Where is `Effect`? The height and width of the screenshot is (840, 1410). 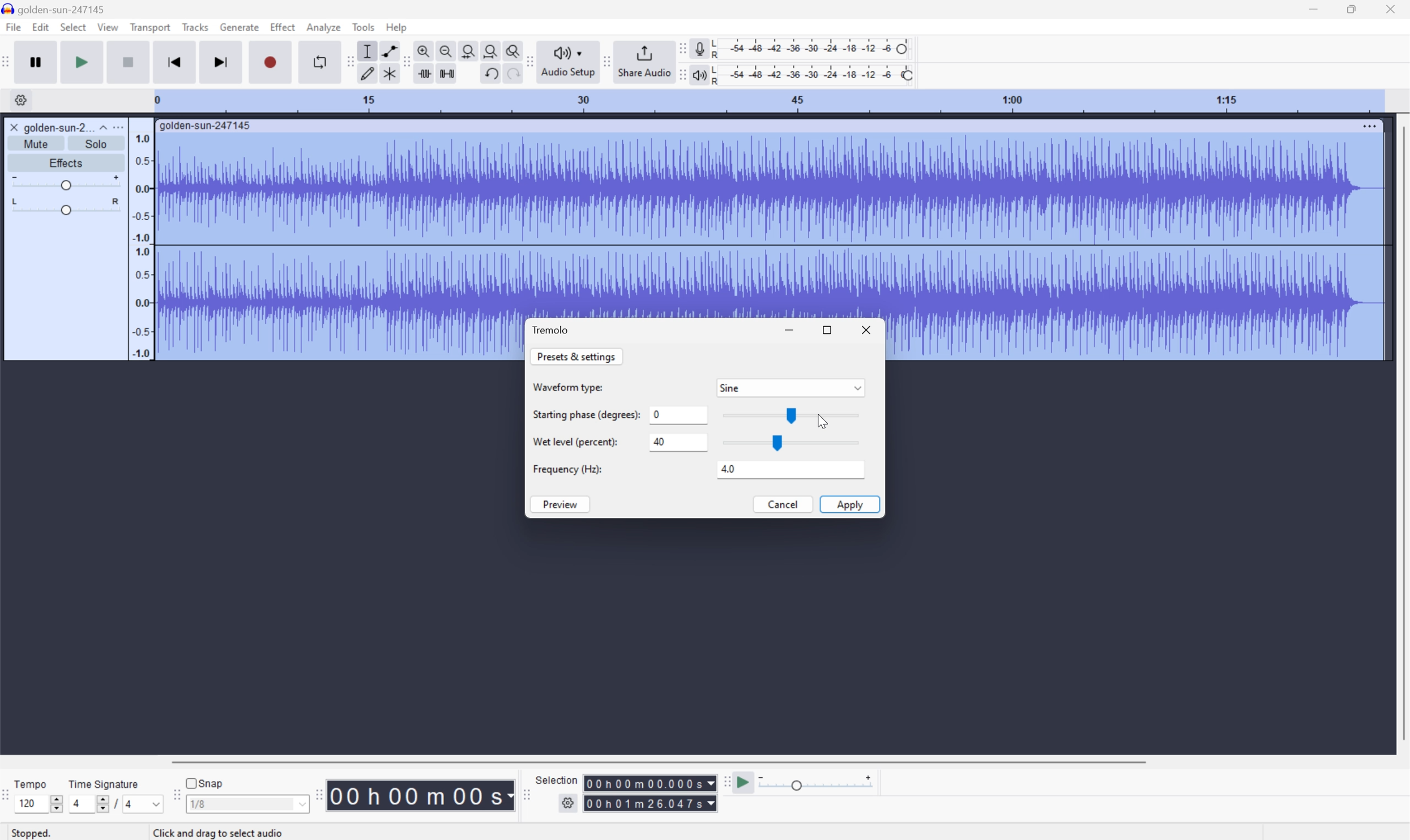
Effect is located at coordinates (283, 27).